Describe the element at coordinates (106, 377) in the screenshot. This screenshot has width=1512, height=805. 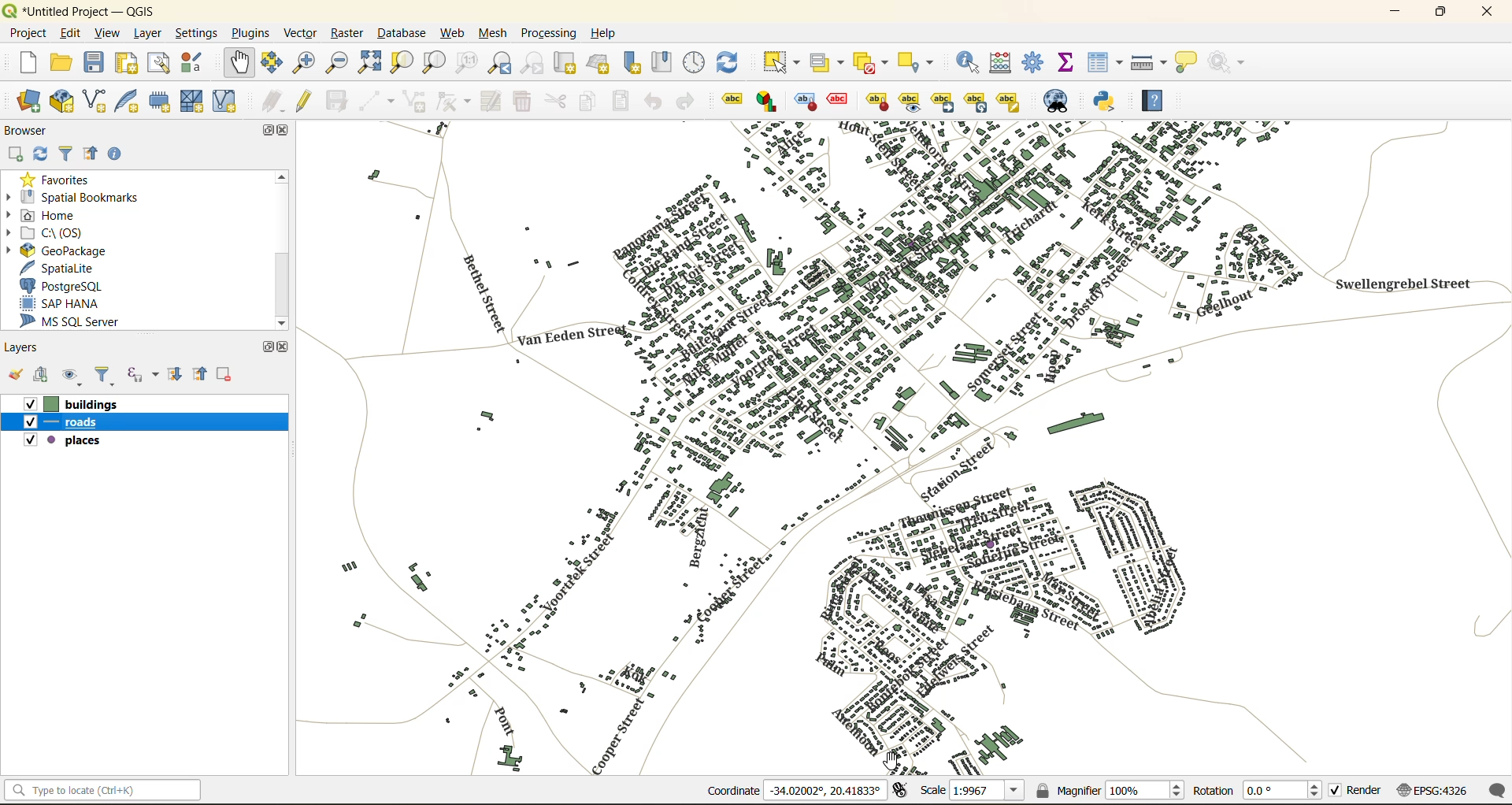
I see `filter ` at that location.